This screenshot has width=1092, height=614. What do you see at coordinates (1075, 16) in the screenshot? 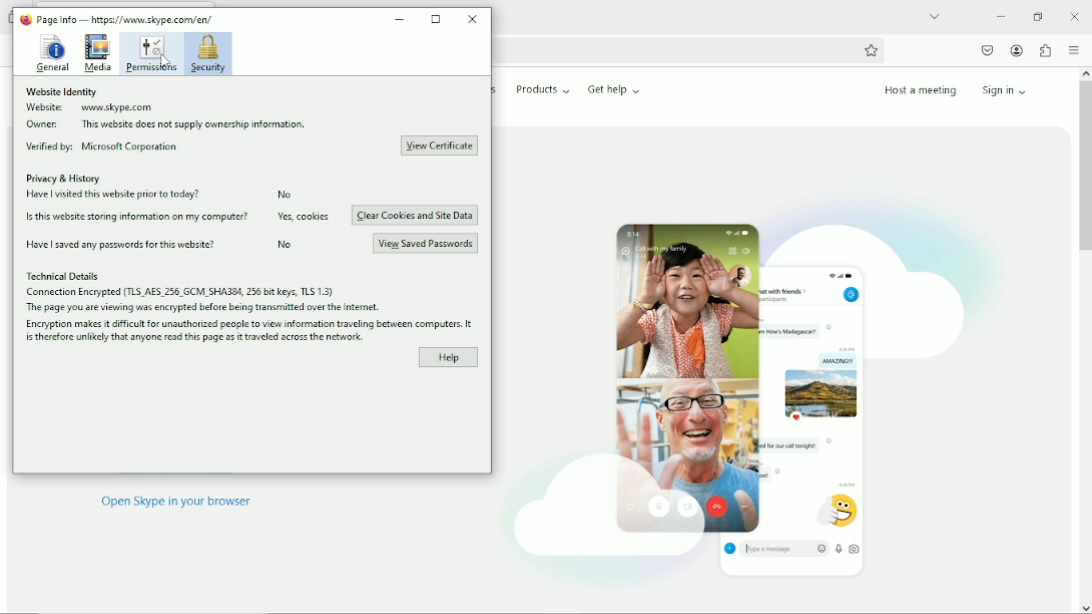
I see `close` at bounding box center [1075, 16].